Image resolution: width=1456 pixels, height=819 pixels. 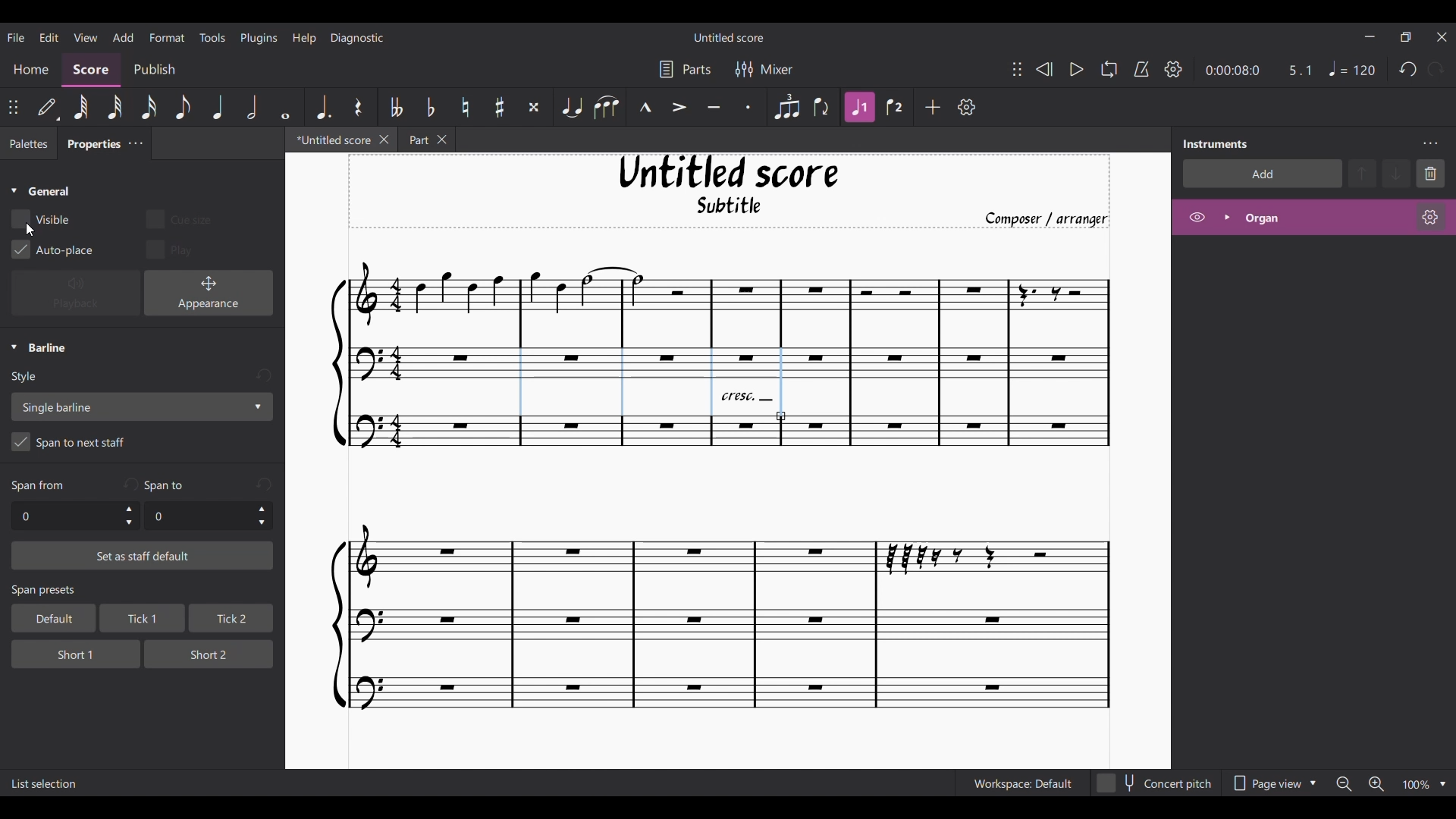 I want to click on Untitled Score, so click(x=729, y=172).